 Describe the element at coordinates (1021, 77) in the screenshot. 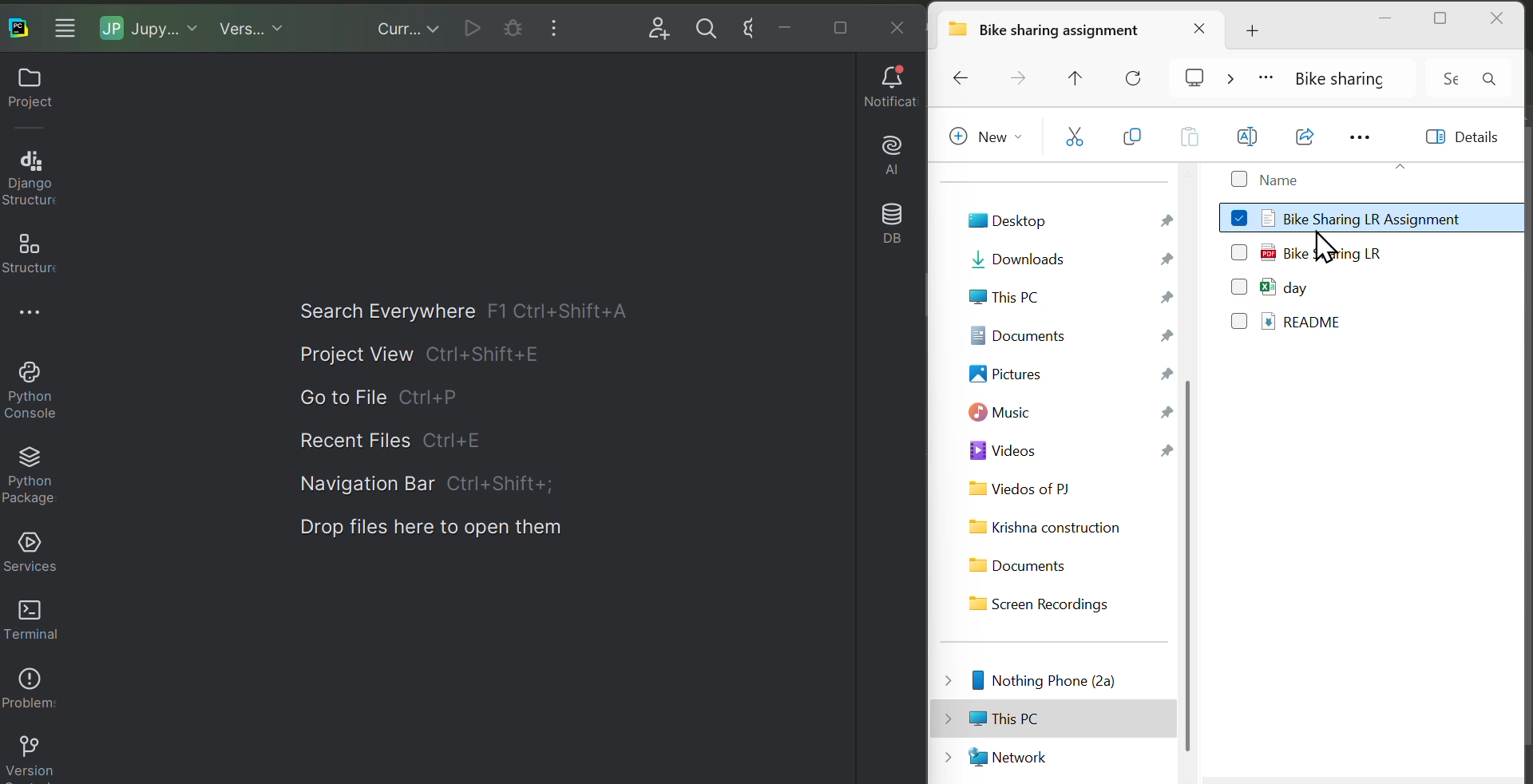

I see `Forward` at that location.